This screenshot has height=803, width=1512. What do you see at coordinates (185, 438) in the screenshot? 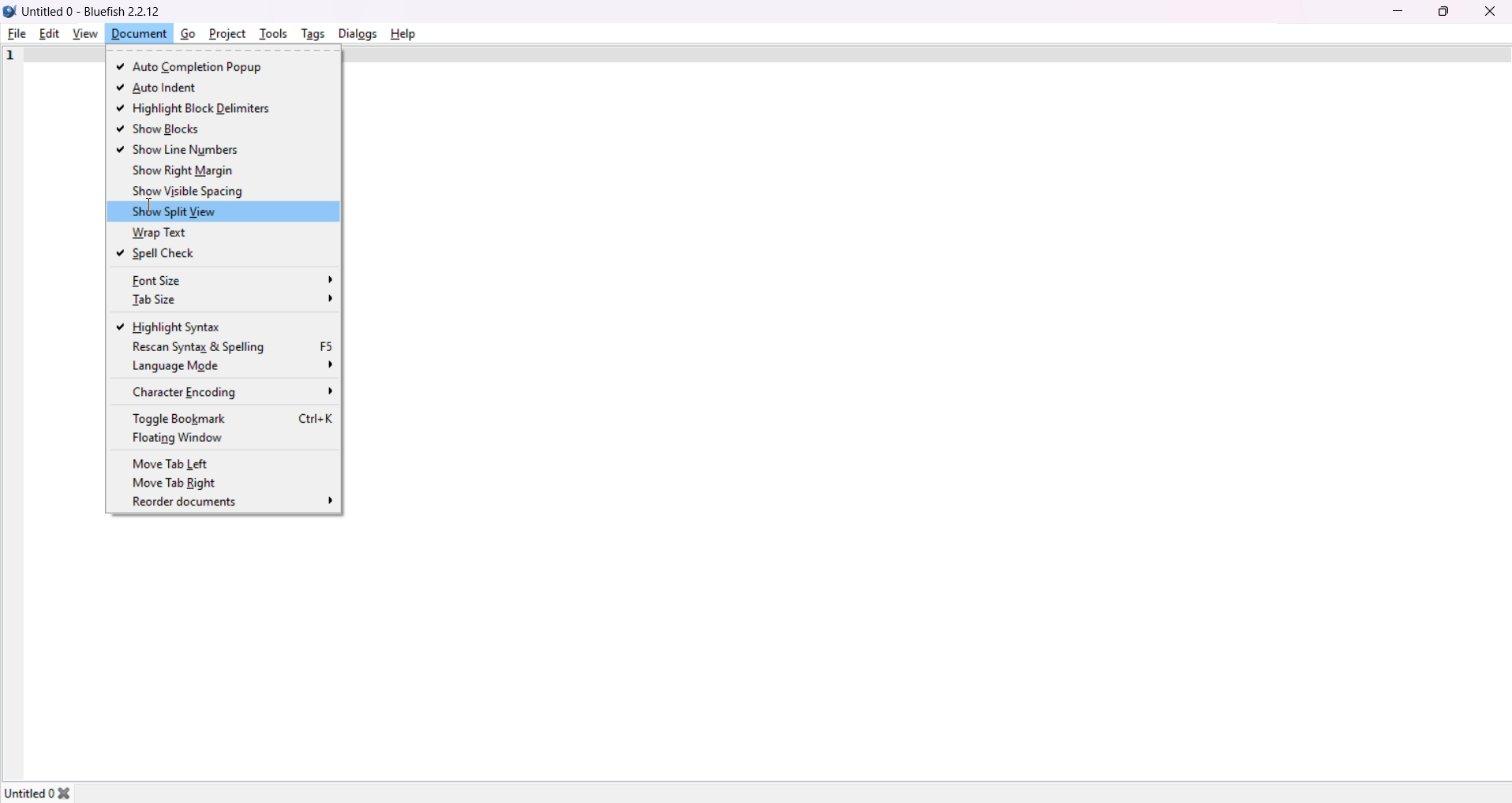
I see `floating window` at bounding box center [185, 438].